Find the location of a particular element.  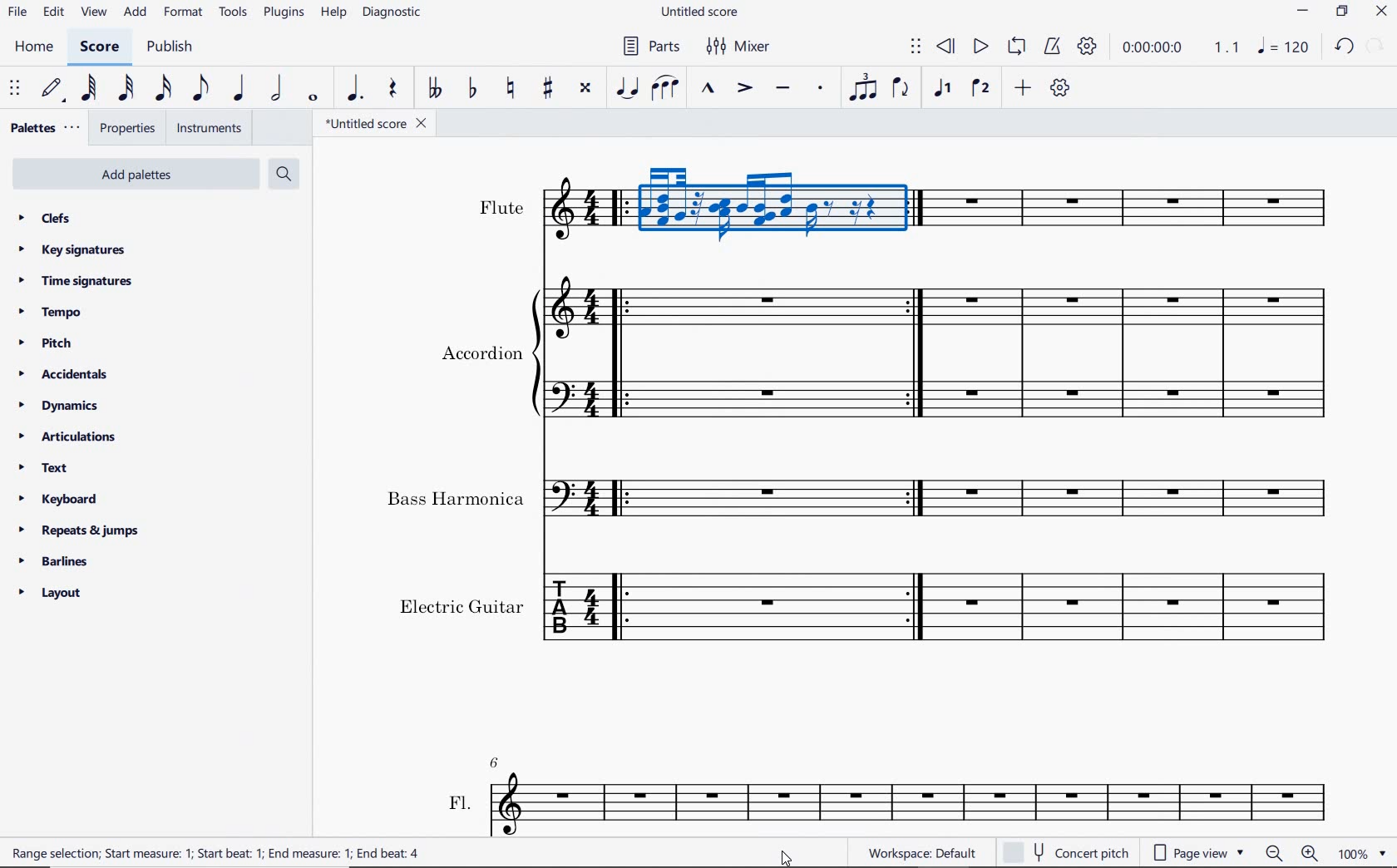

cursor is located at coordinates (788, 857).